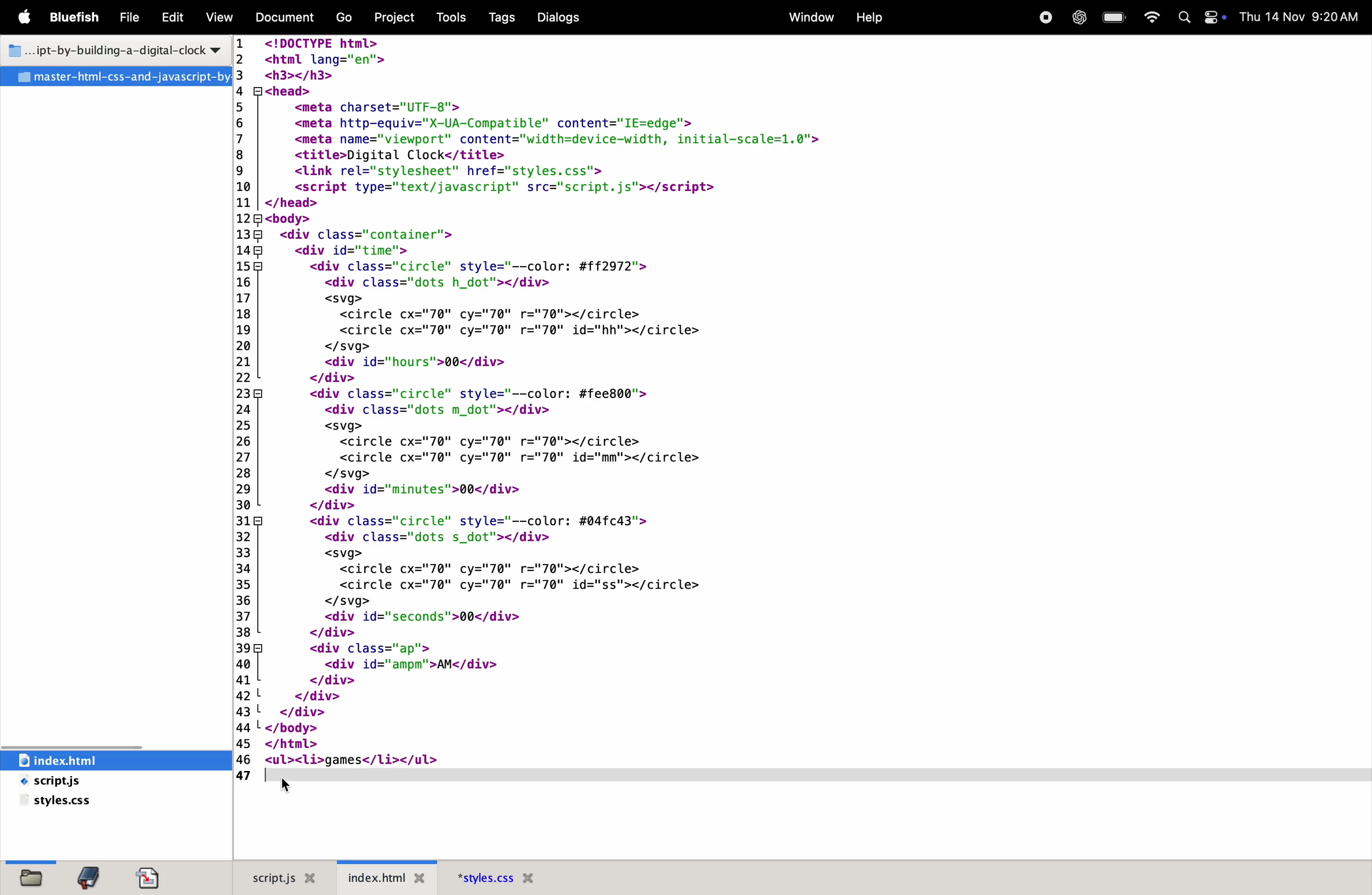  Describe the element at coordinates (452, 17) in the screenshot. I see `tools` at that location.